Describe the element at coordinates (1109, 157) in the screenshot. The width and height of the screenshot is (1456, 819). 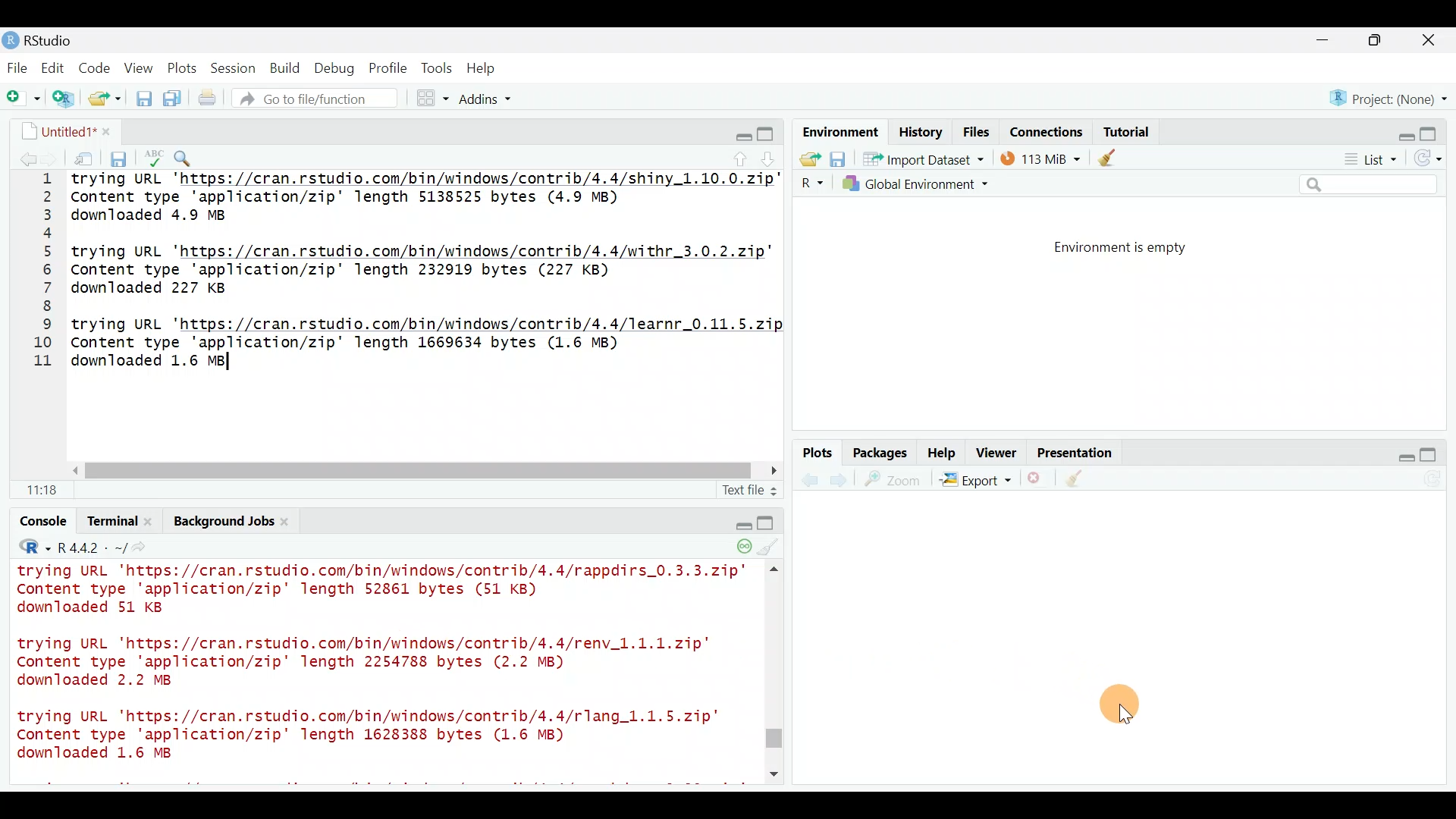
I see `clear objects from the workspace` at that location.